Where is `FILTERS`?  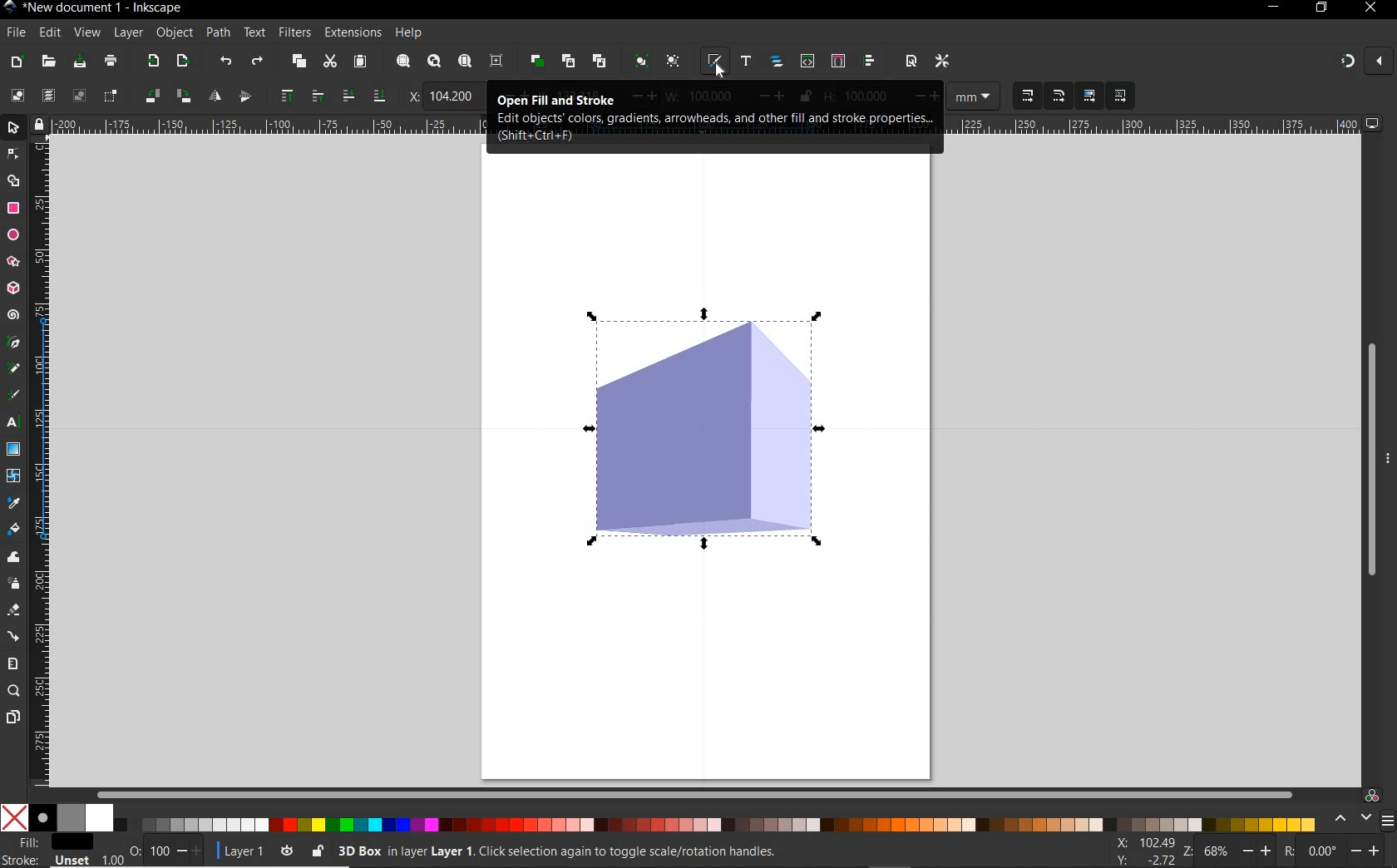 FILTERS is located at coordinates (294, 31).